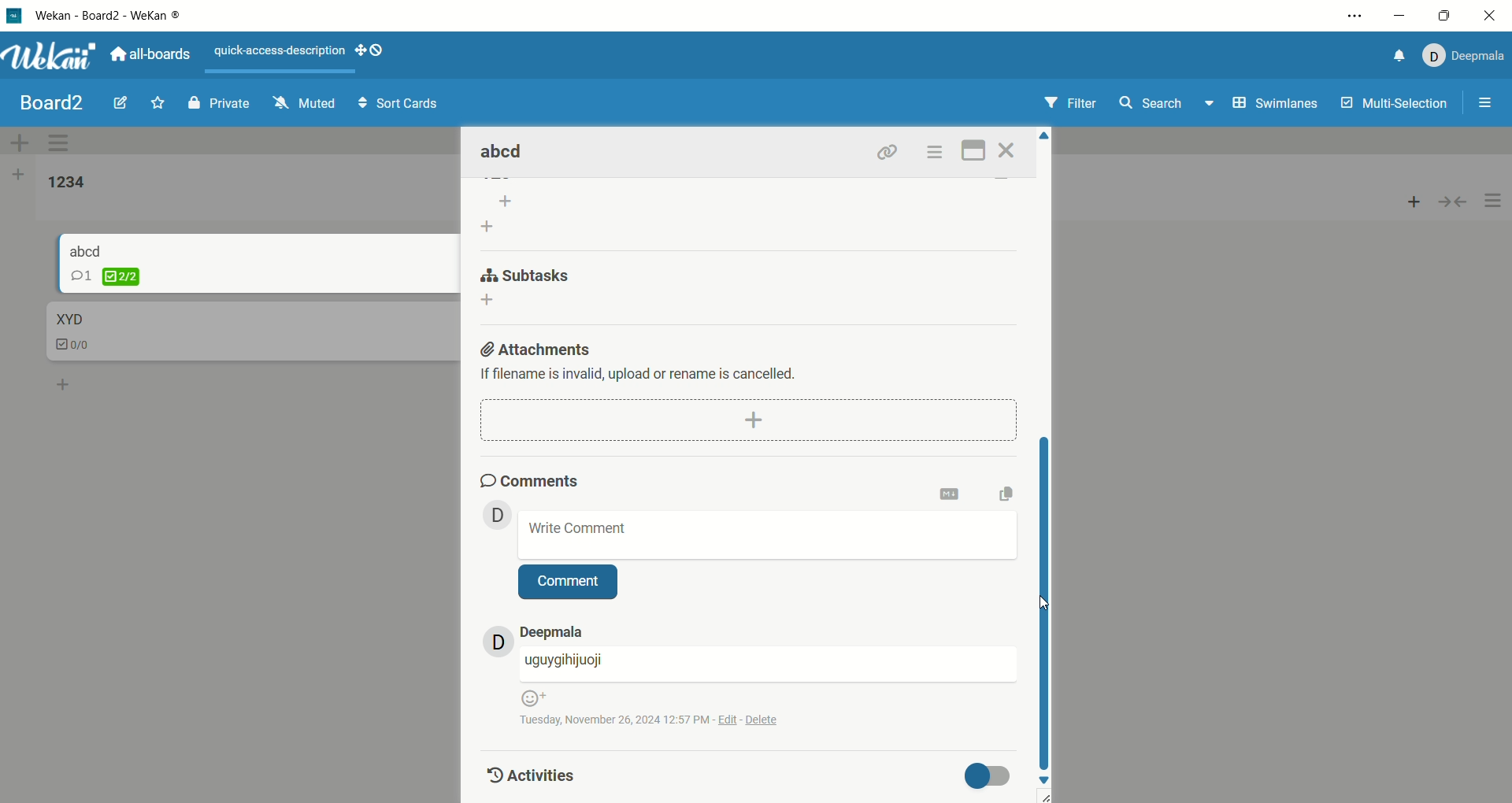  Describe the element at coordinates (500, 215) in the screenshot. I see `add list` at that location.